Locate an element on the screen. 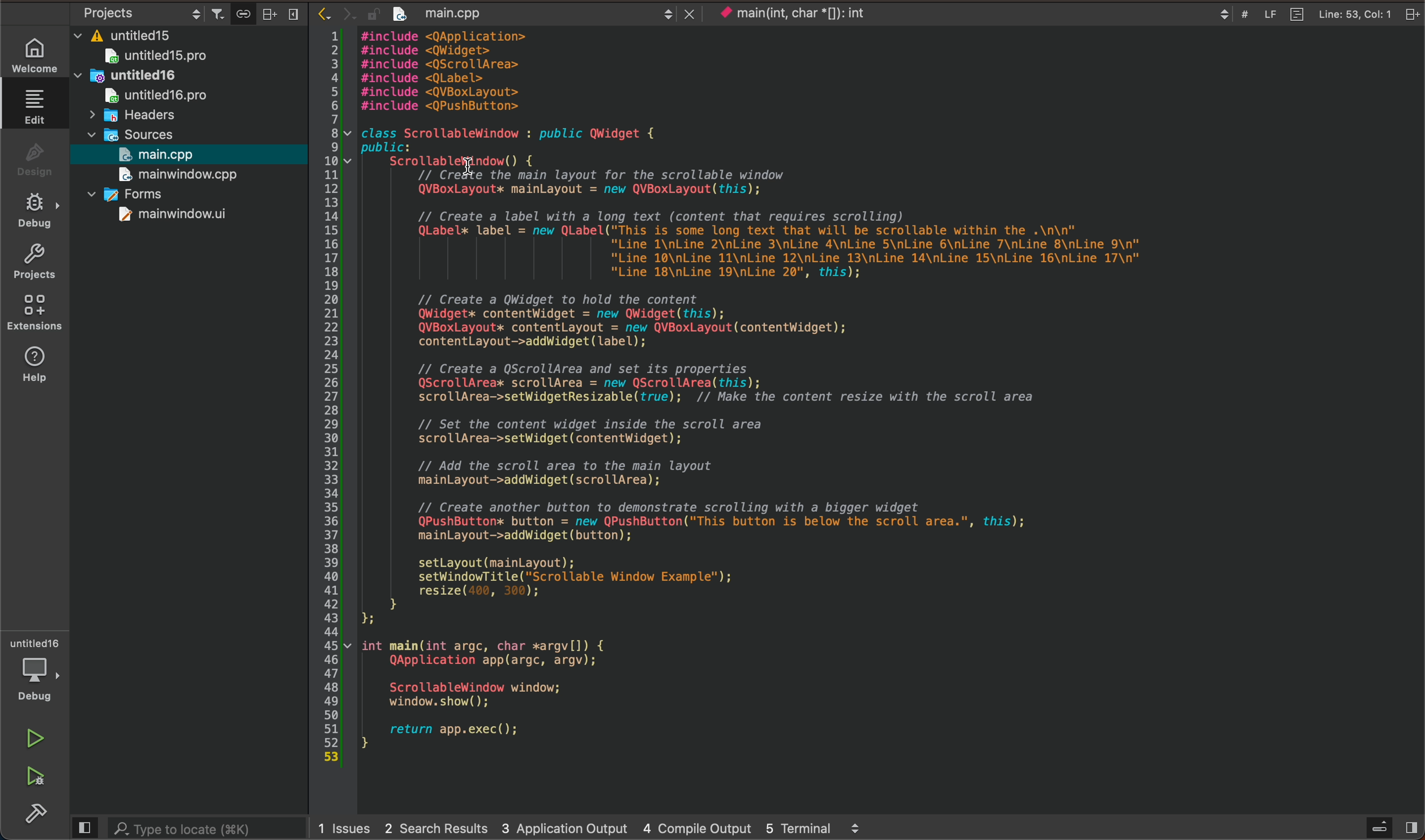  search is located at coordinates (206, 829).